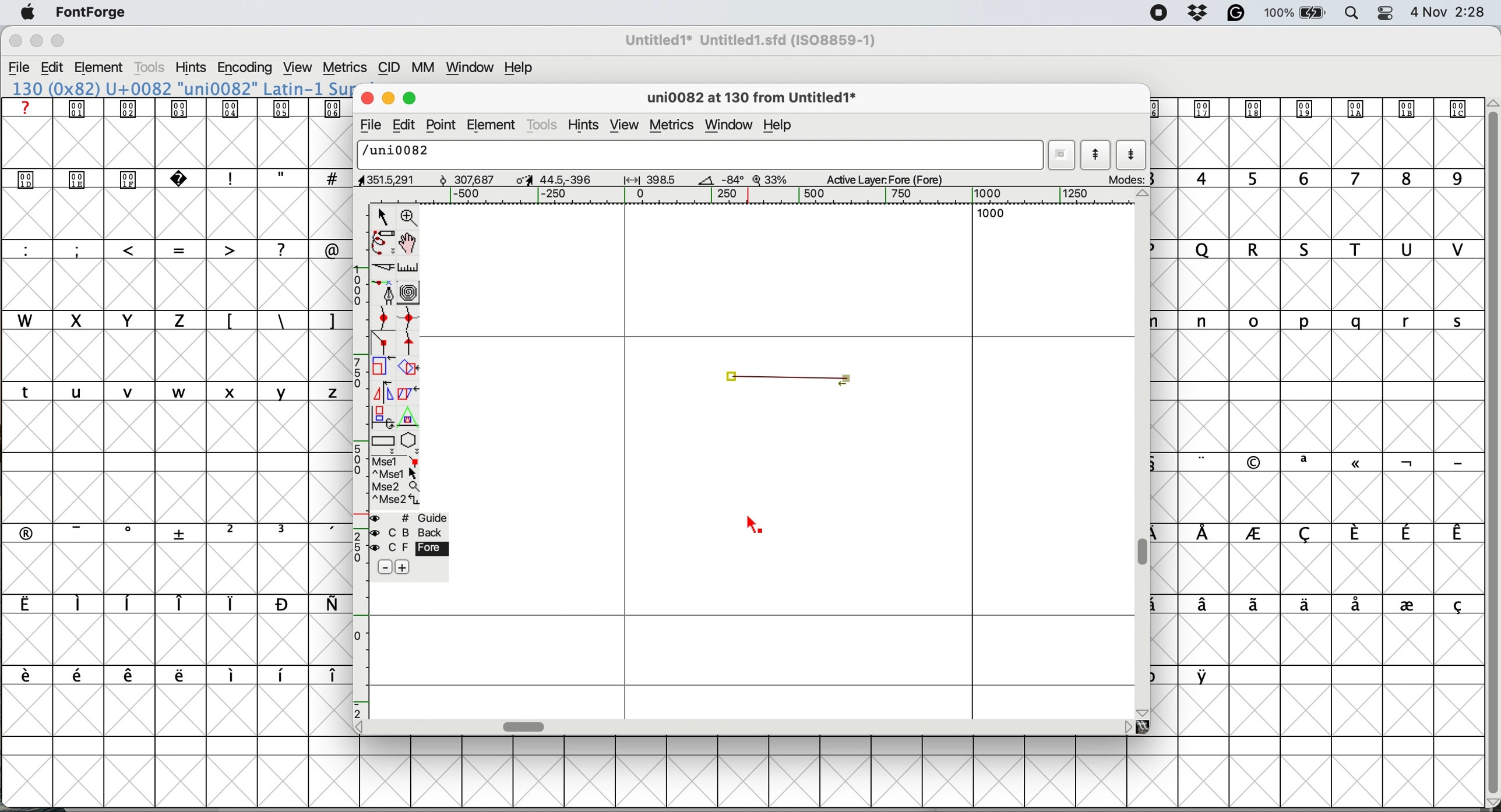  What do you see at coordinates (1124, 179) in the screenshot?
I see `mode` at bounding box center [1124, 179].